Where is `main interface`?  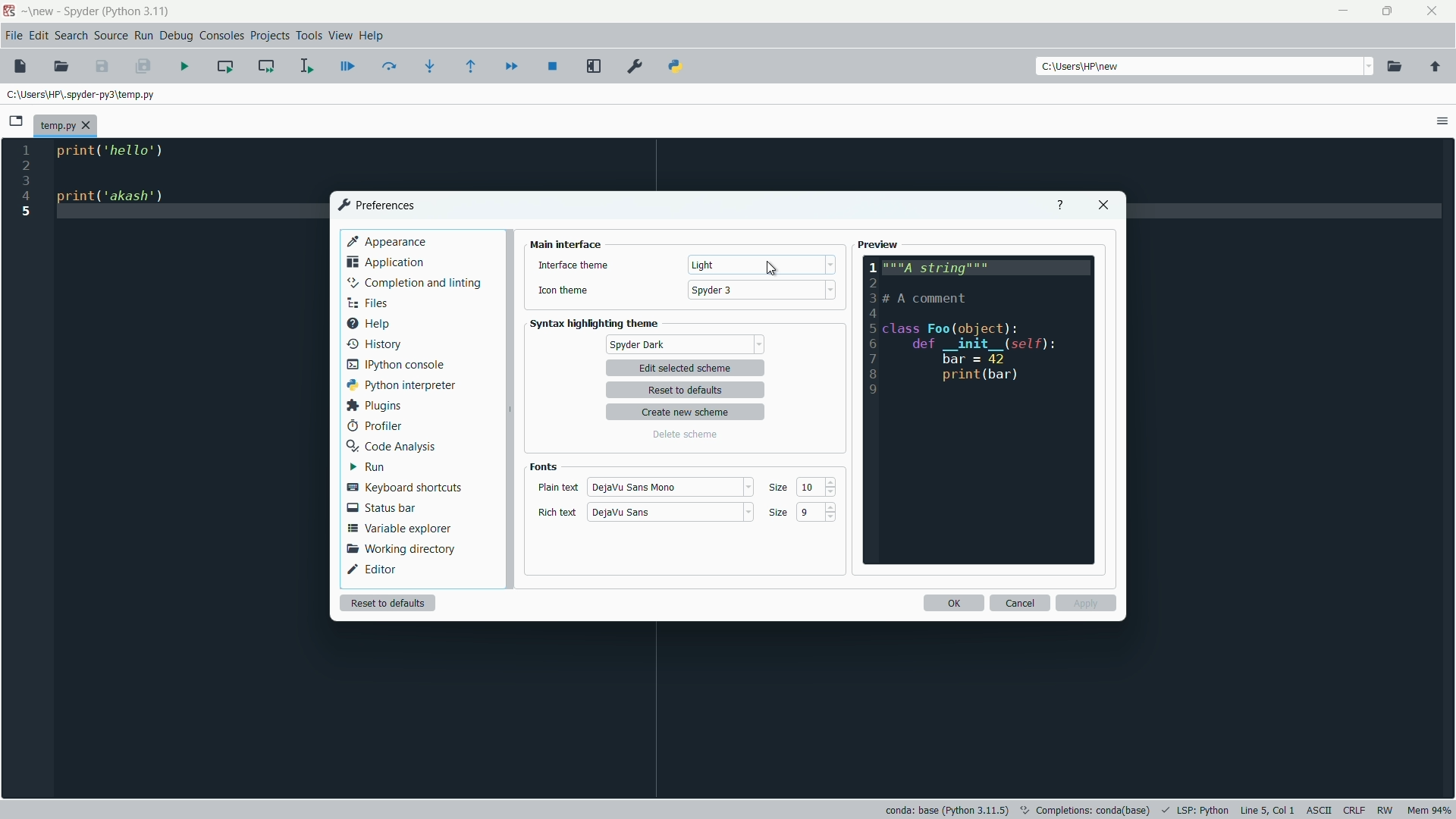 main interface is located at coordinates (566, 244).